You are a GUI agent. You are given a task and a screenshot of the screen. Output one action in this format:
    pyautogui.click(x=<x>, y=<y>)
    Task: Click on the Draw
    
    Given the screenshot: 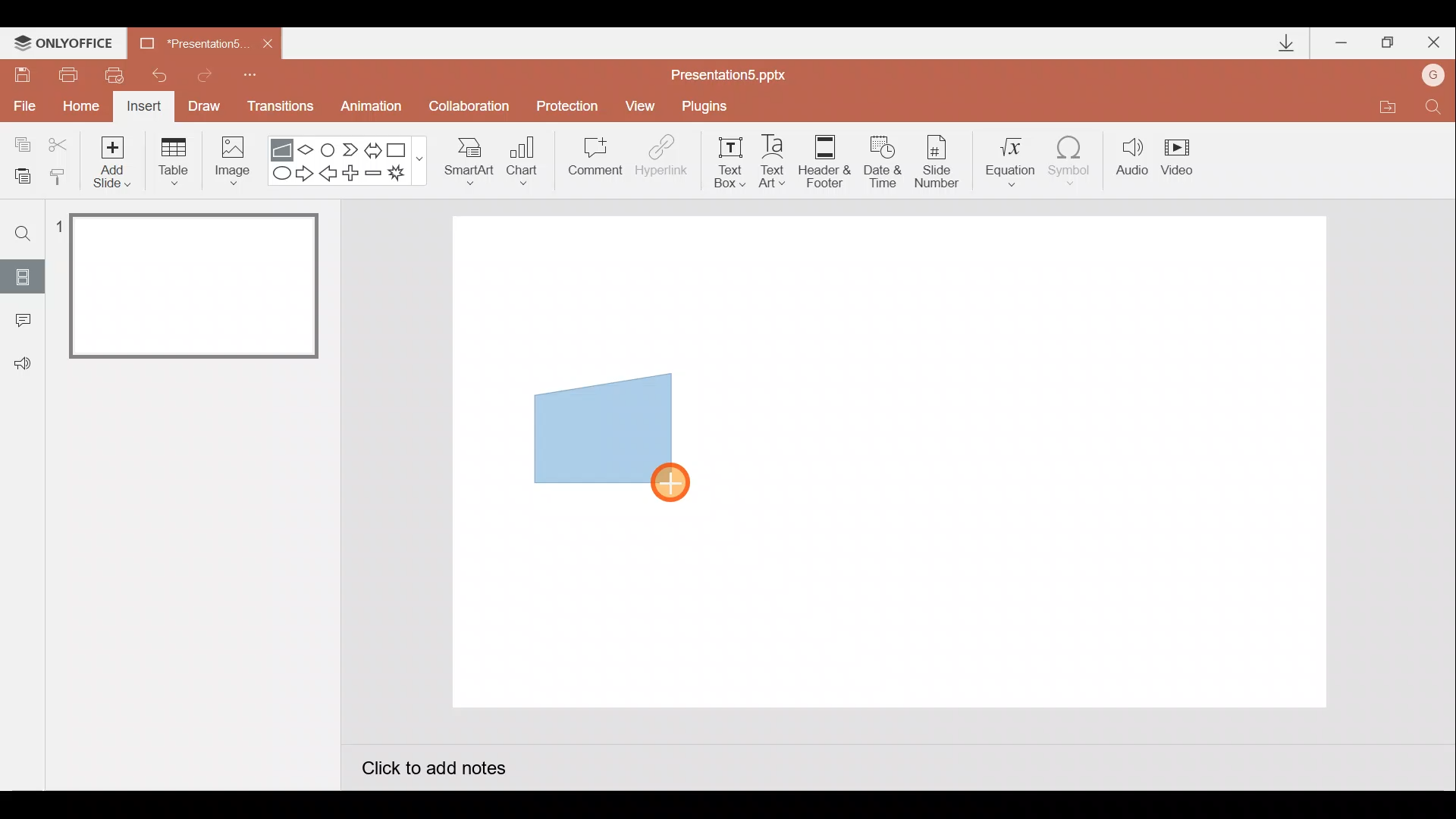 What is the action you would take?
    pyautogui.click(x=205, y=105)
    